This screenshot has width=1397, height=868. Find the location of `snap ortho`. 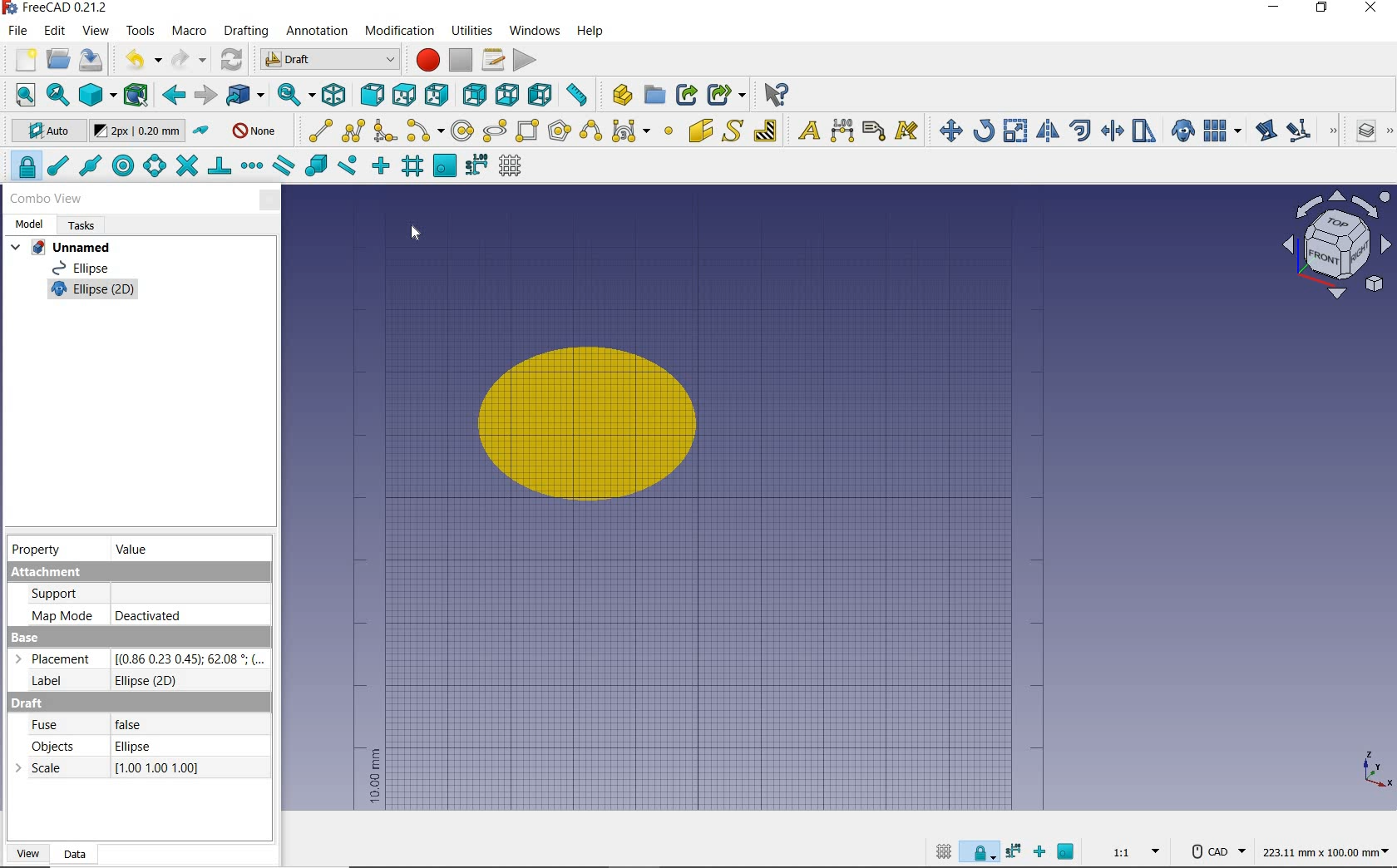

snap ortho is located at coordinates (382, 166).